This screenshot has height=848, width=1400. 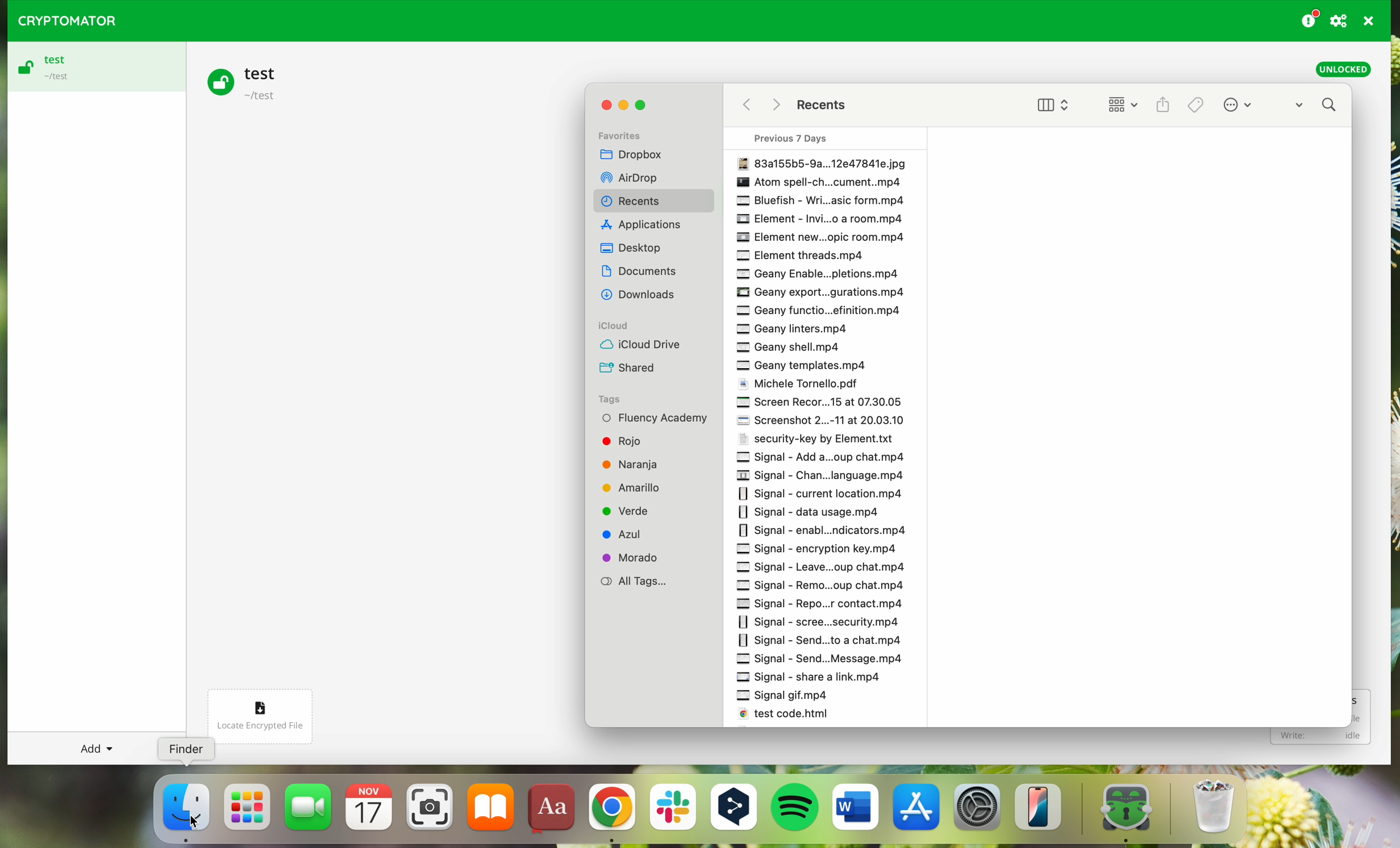 What do you see at coordinates (826, 293) in the screenshot?
I see `Geany export` at bounding box center [826, 293].